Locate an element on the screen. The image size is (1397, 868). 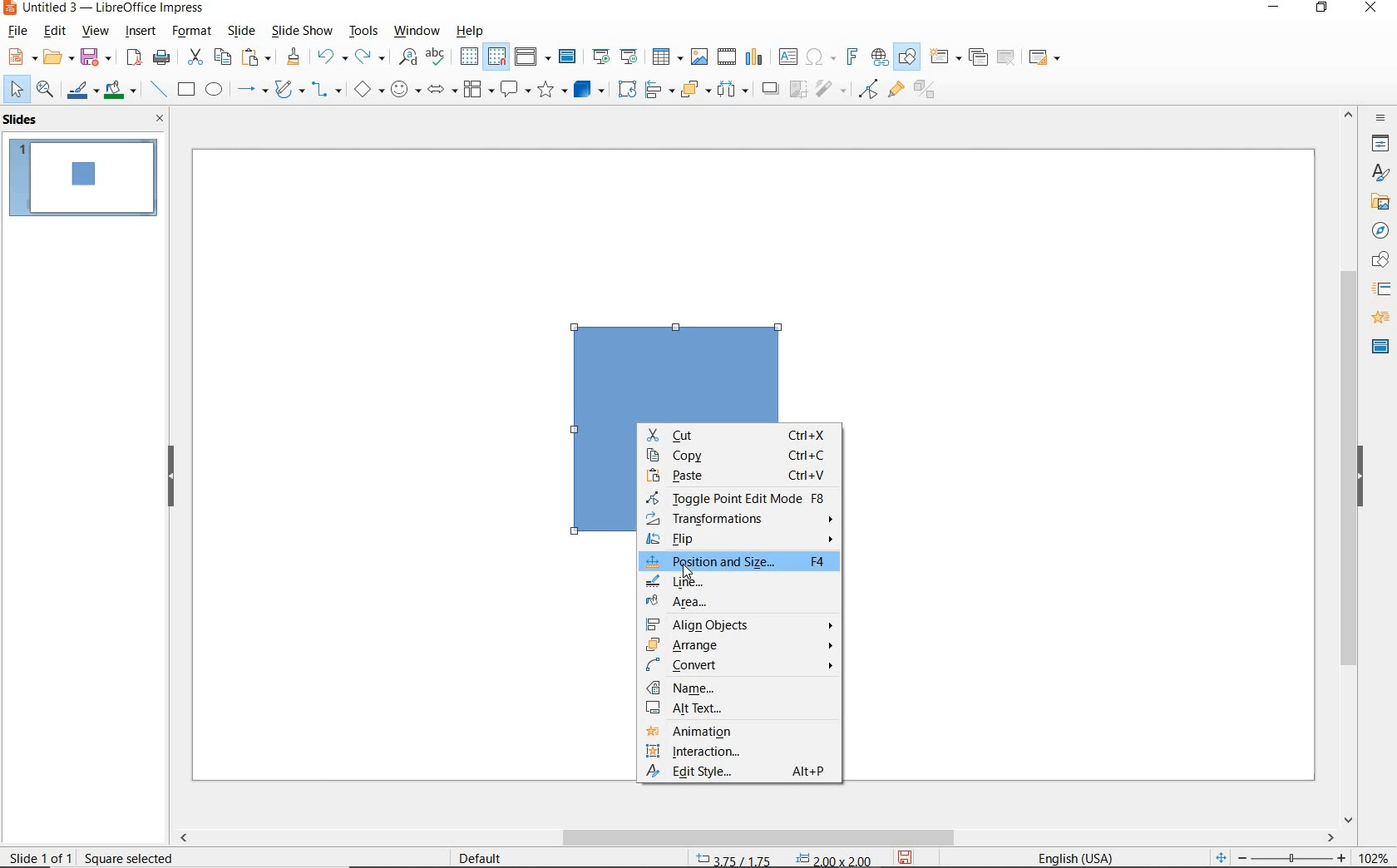
slide layout is located at coordinates (1044, 57).